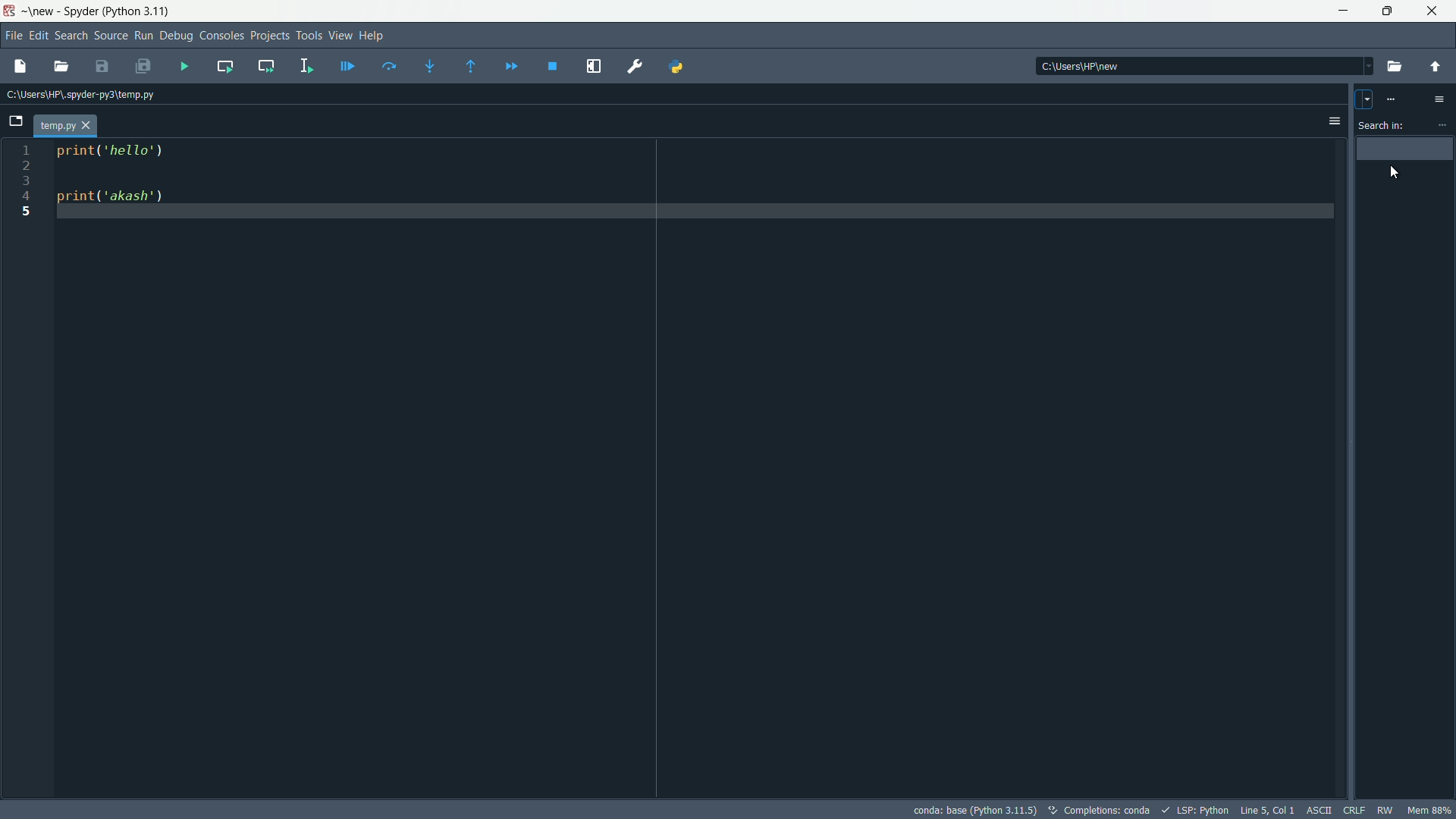 The image size is (1456, 819). I want to click on more options, so click(1440, 99).